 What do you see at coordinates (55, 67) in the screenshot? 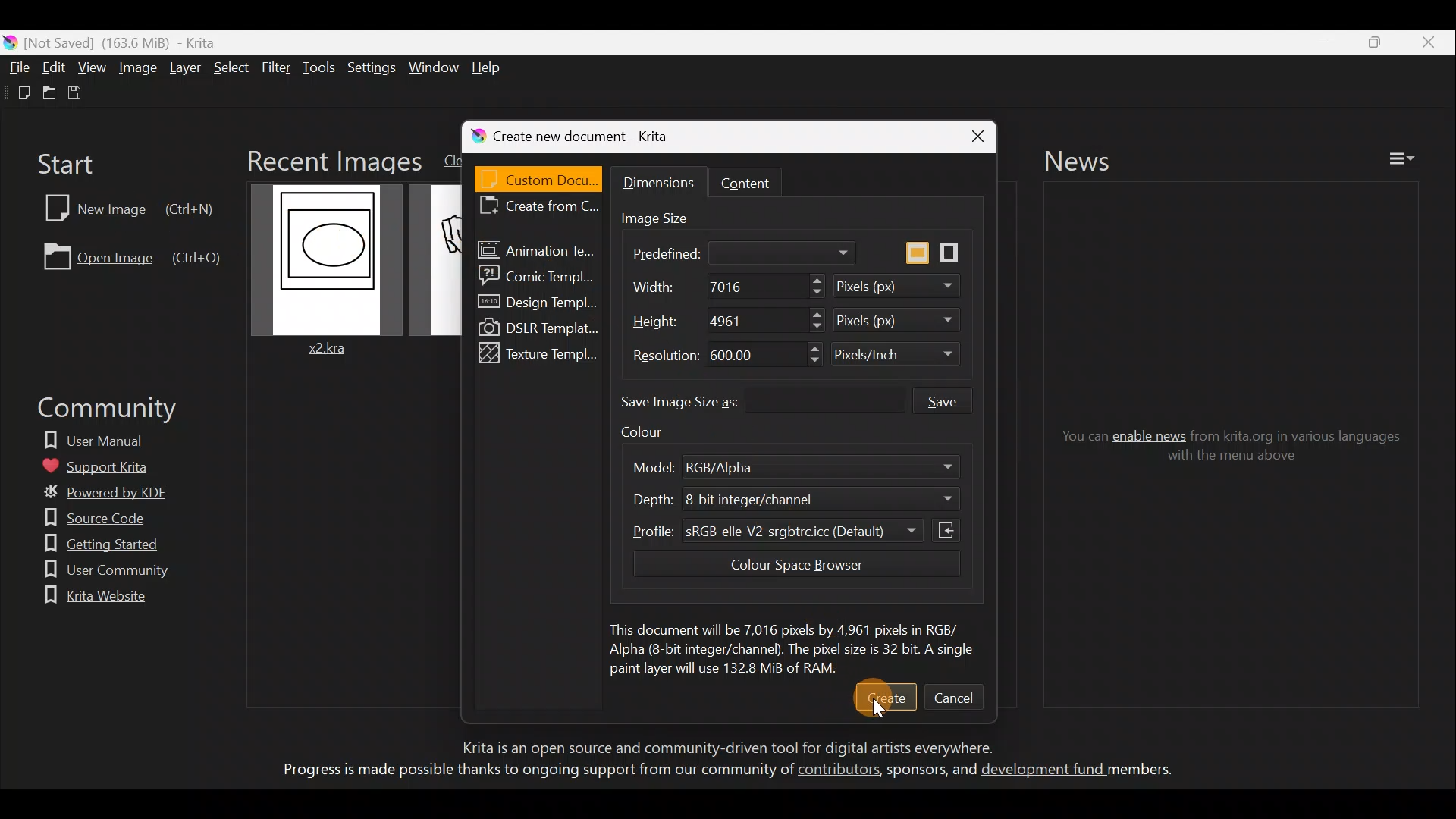
I see `Edit` at bounding box center [55, 67].